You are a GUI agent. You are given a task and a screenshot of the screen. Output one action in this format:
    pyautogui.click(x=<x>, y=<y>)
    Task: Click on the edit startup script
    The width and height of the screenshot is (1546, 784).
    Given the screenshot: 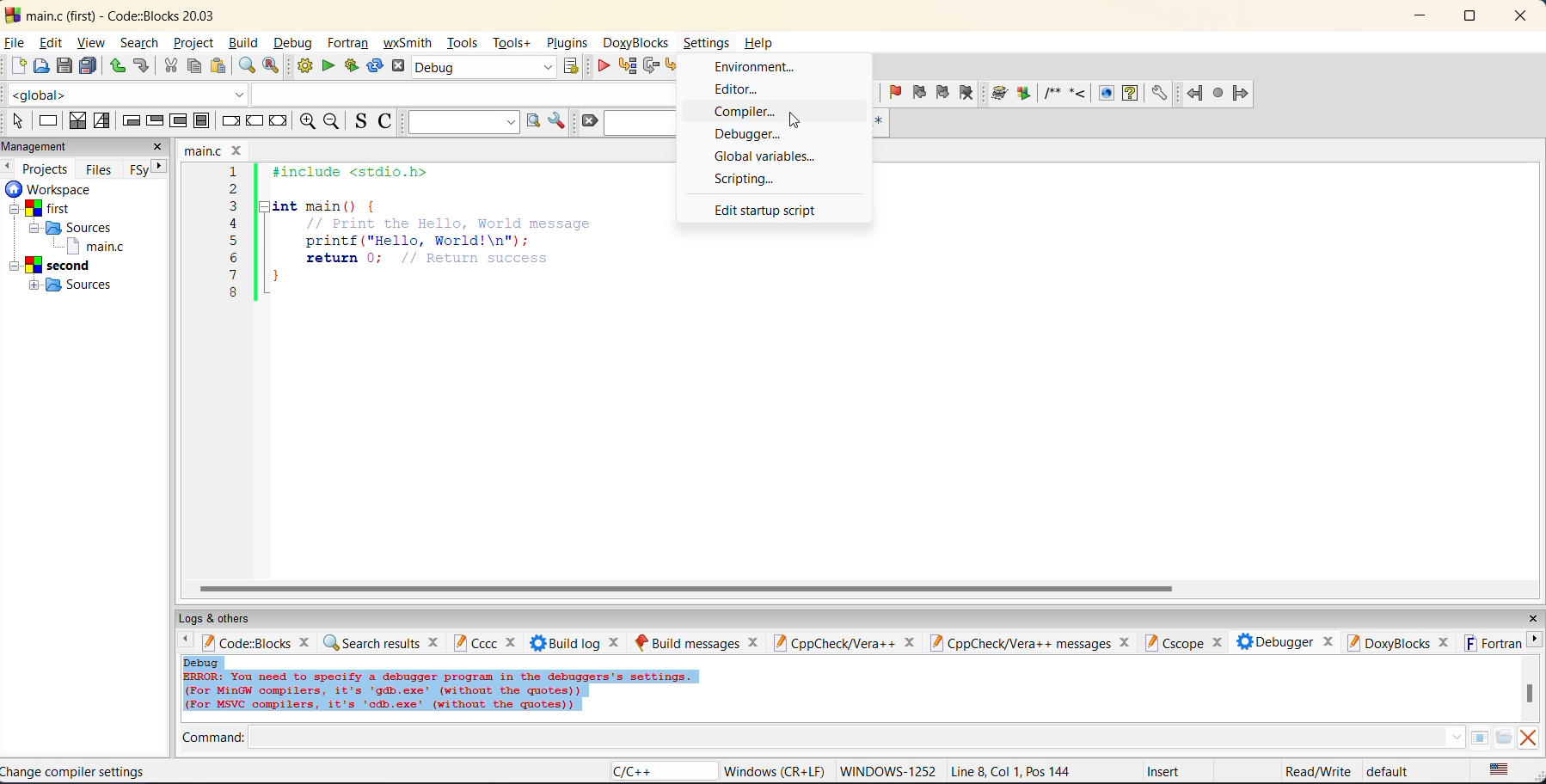 What is the action you would take?
    pyautogui.click(x=770, y=211)
    